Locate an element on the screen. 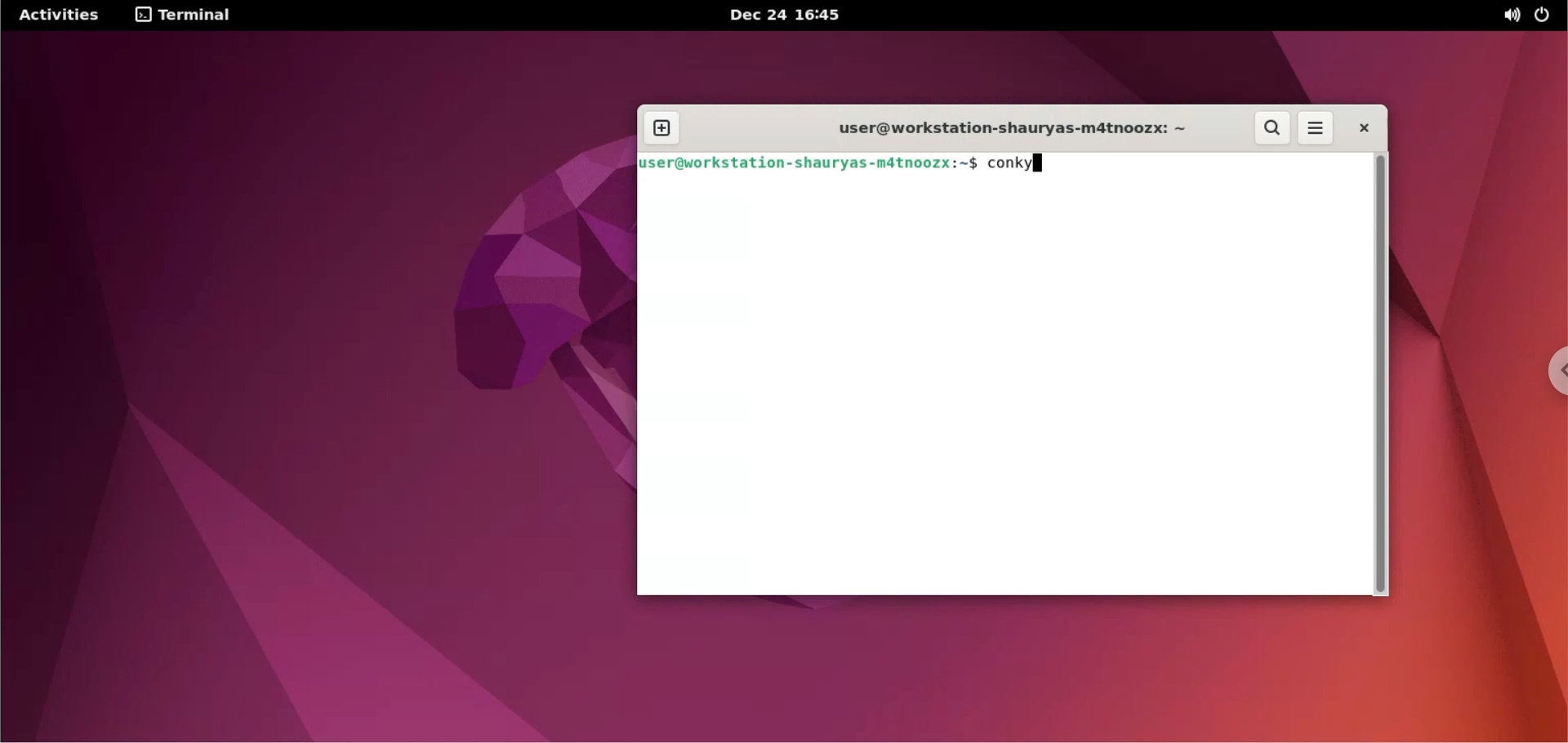 The height and width of the screenshot is (743, 1568). Dec 24 16'45 is located at coordinates (788, 16).